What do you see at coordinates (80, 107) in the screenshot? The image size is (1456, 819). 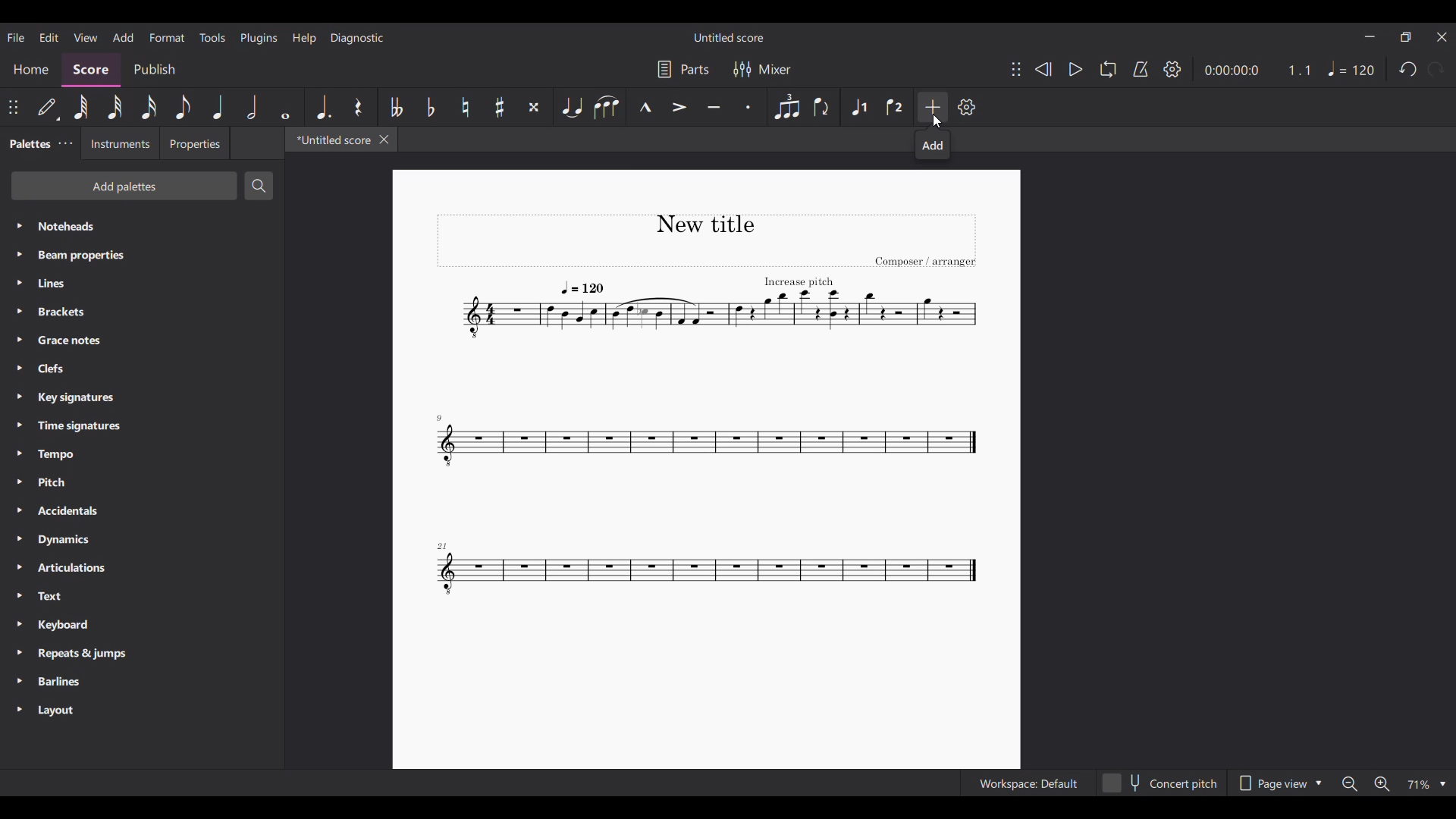 I see `64th note` at bounding box center [80, 107].